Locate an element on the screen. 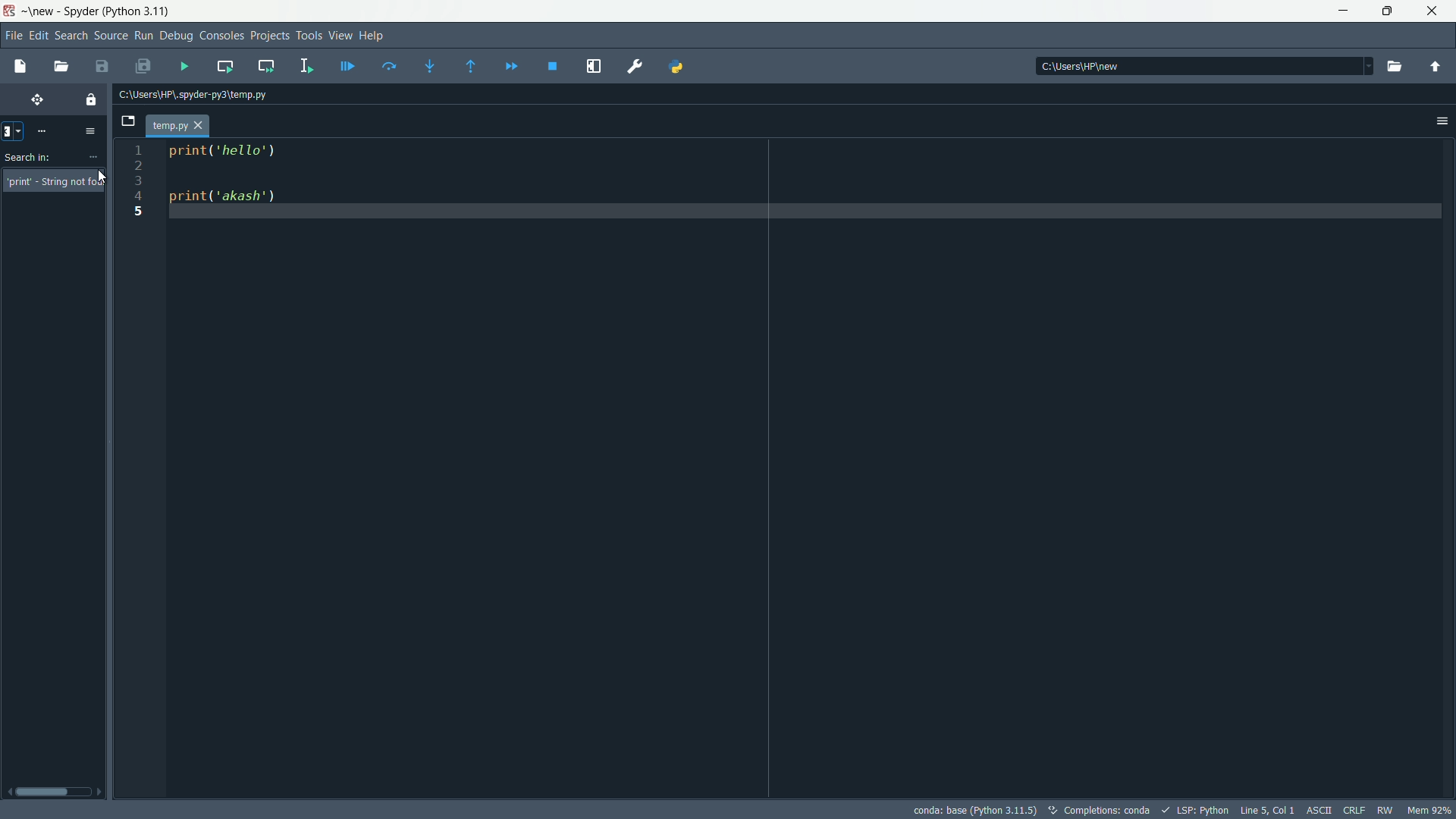 This screenshot has height=819, width=1456. debug current line is located at coordinates (344, 66).